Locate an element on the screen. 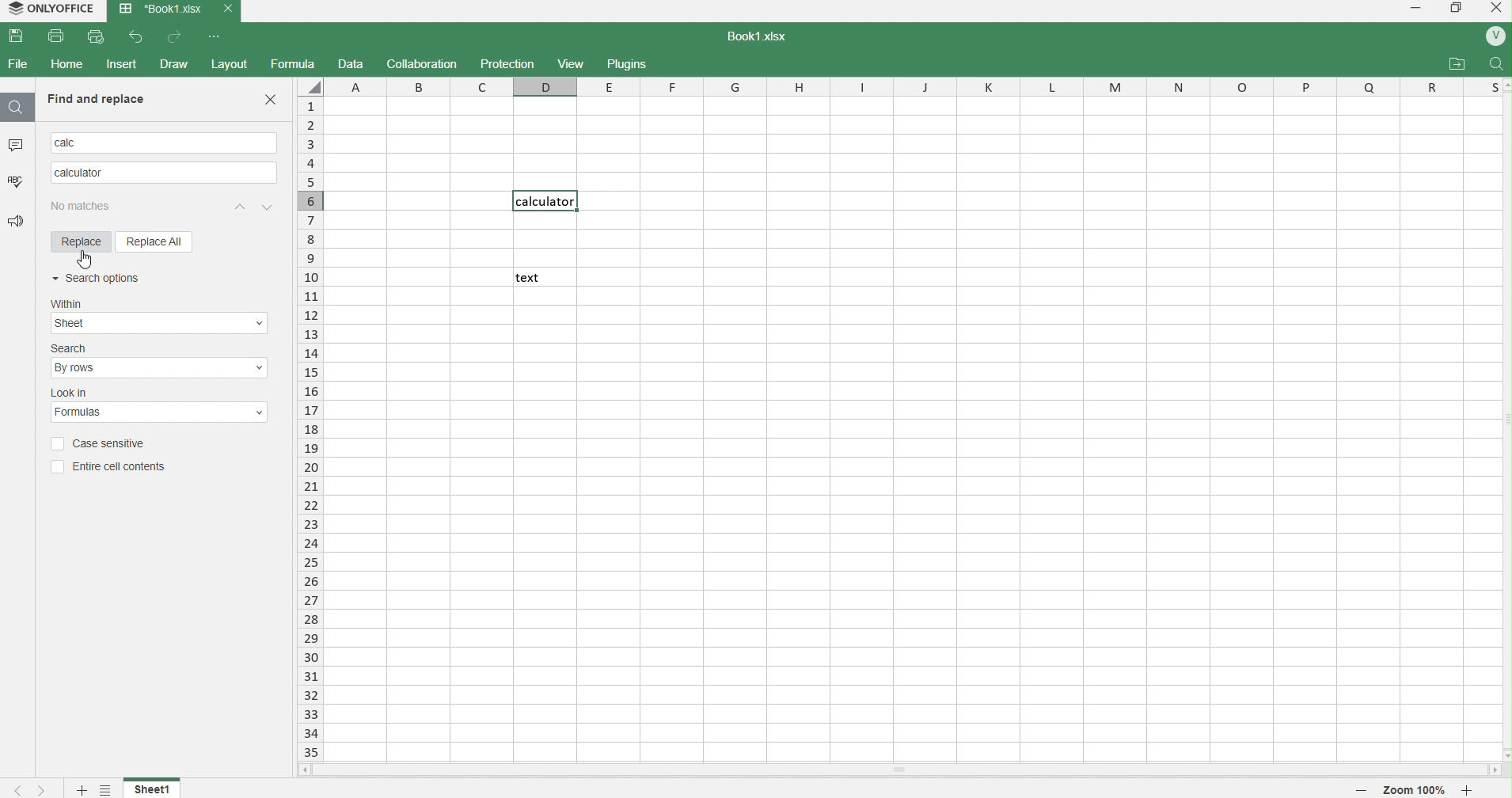 This screenshot has height=798, width=1512. calc is located at coordinates (182, 530).